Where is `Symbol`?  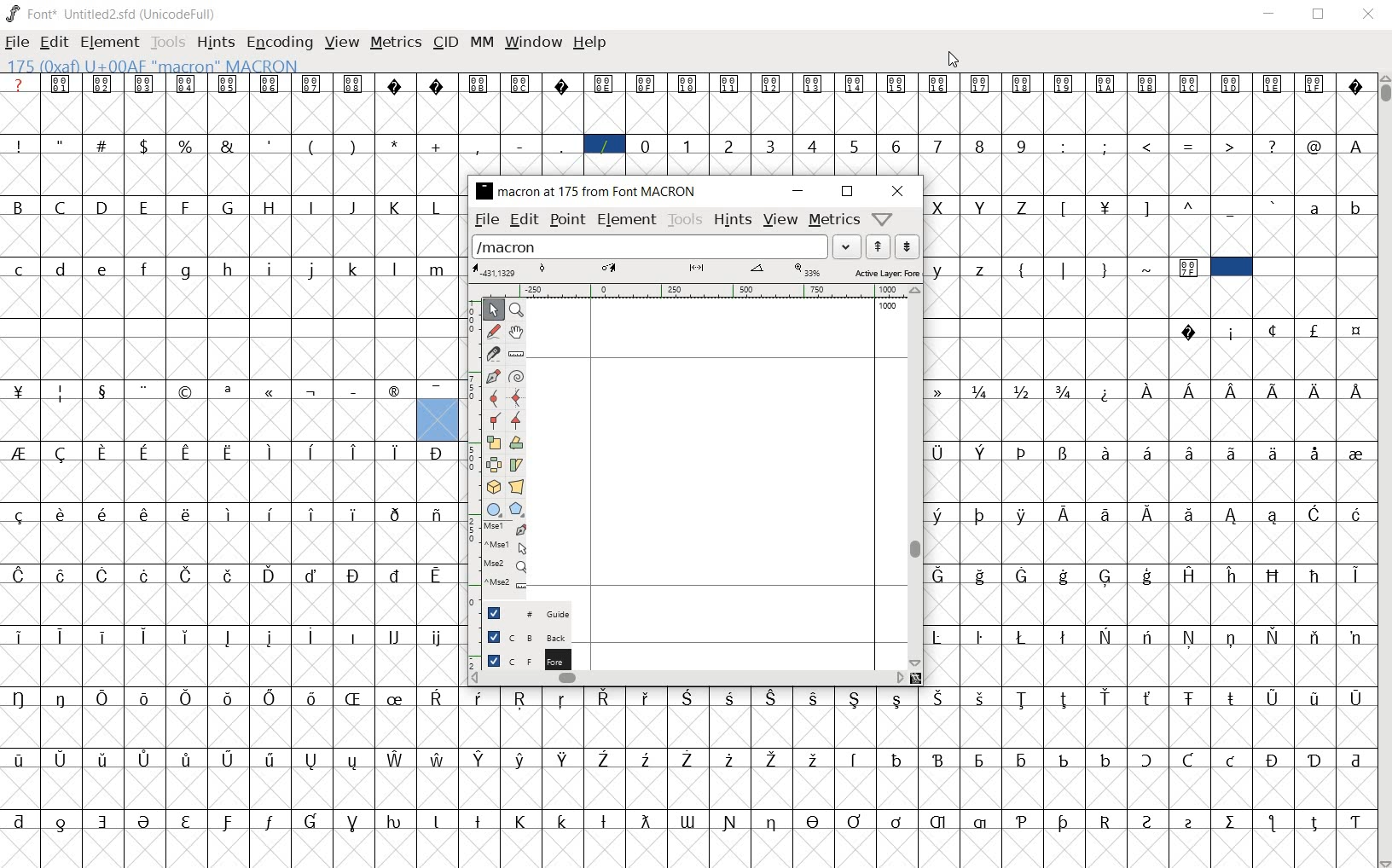 Symbol is located at coordinates (441, 697).